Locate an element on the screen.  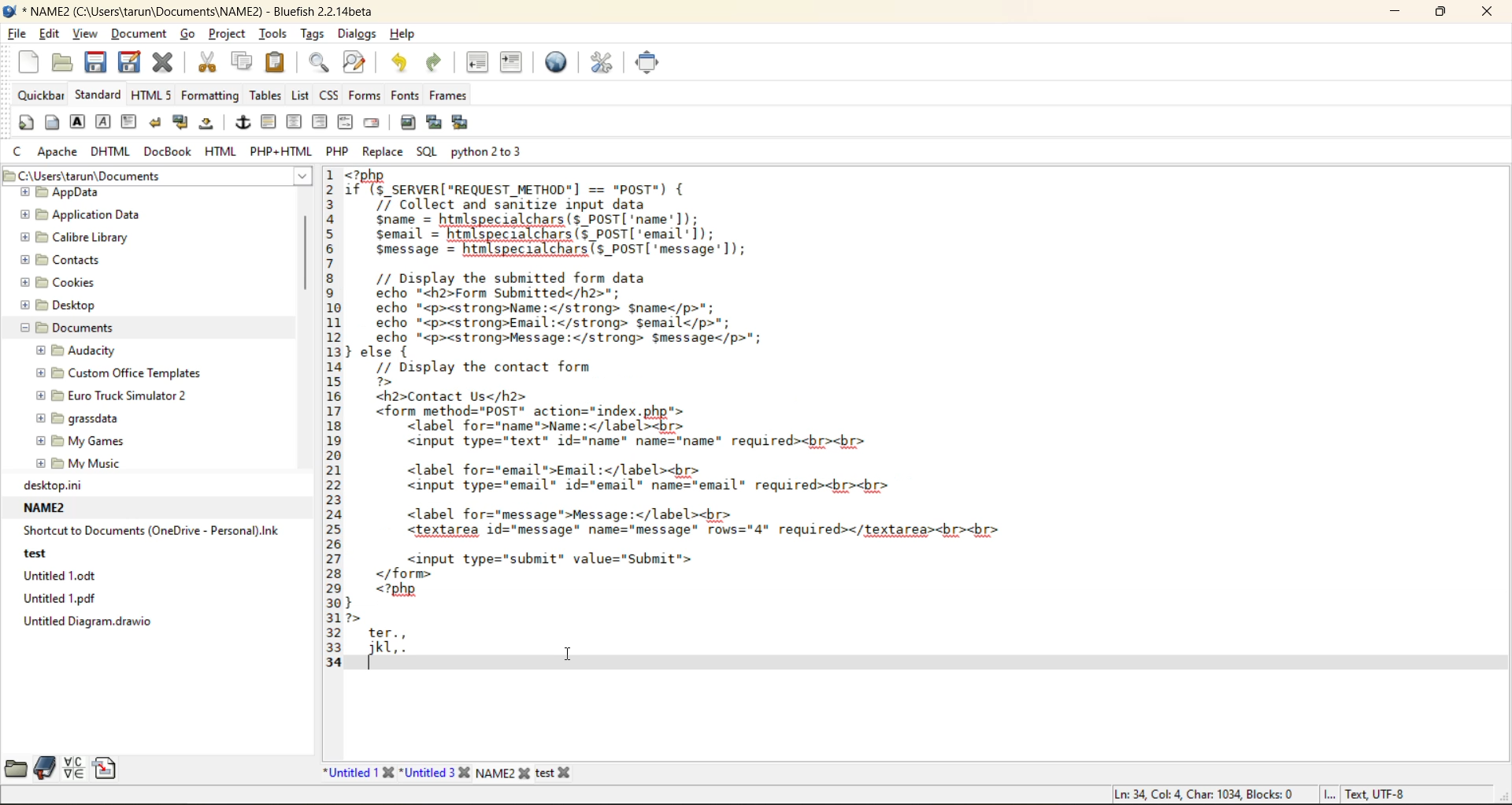
replace is located at coordinates (382, 153).